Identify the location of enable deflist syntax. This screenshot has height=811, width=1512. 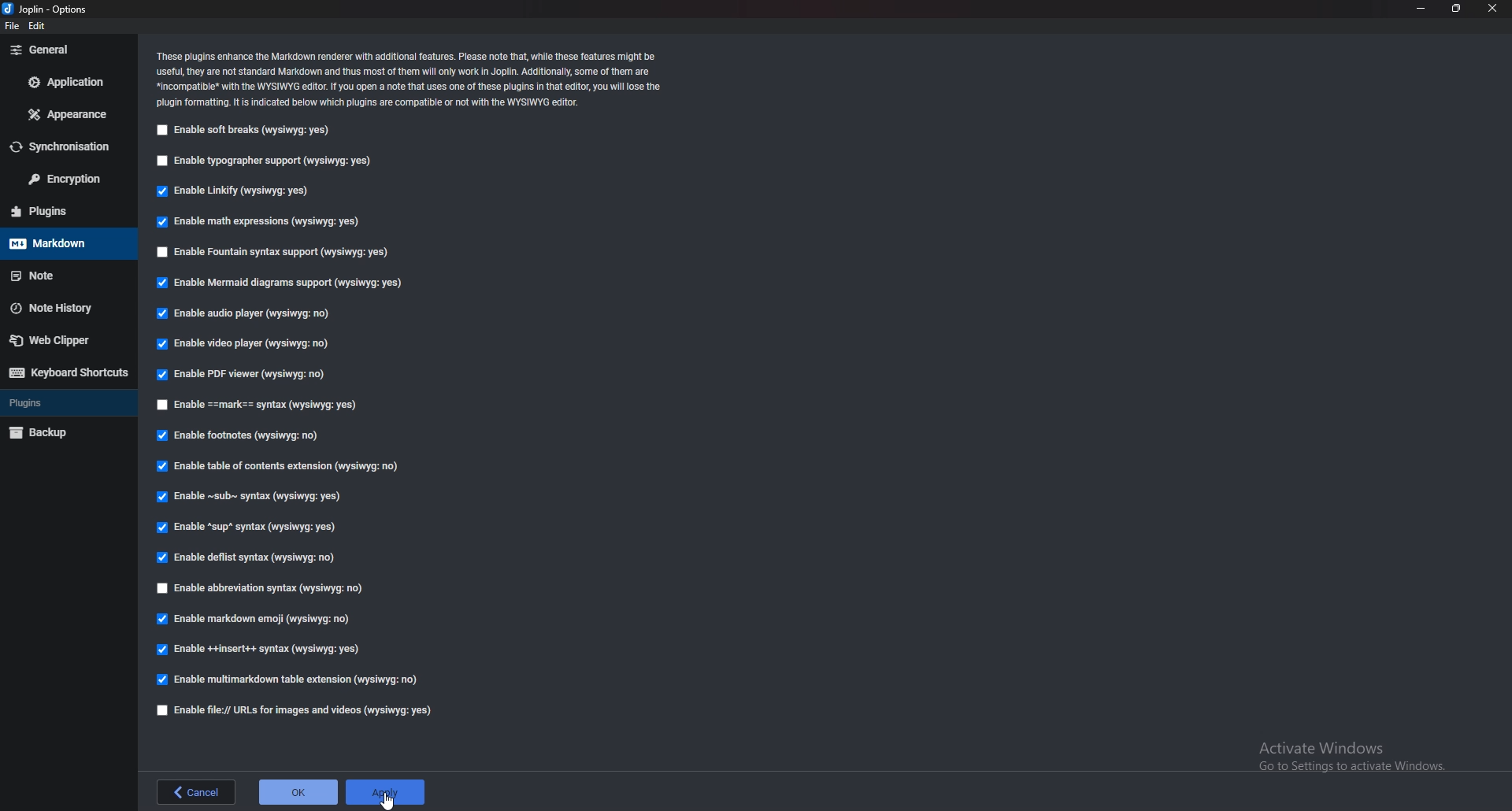
(246, 557).